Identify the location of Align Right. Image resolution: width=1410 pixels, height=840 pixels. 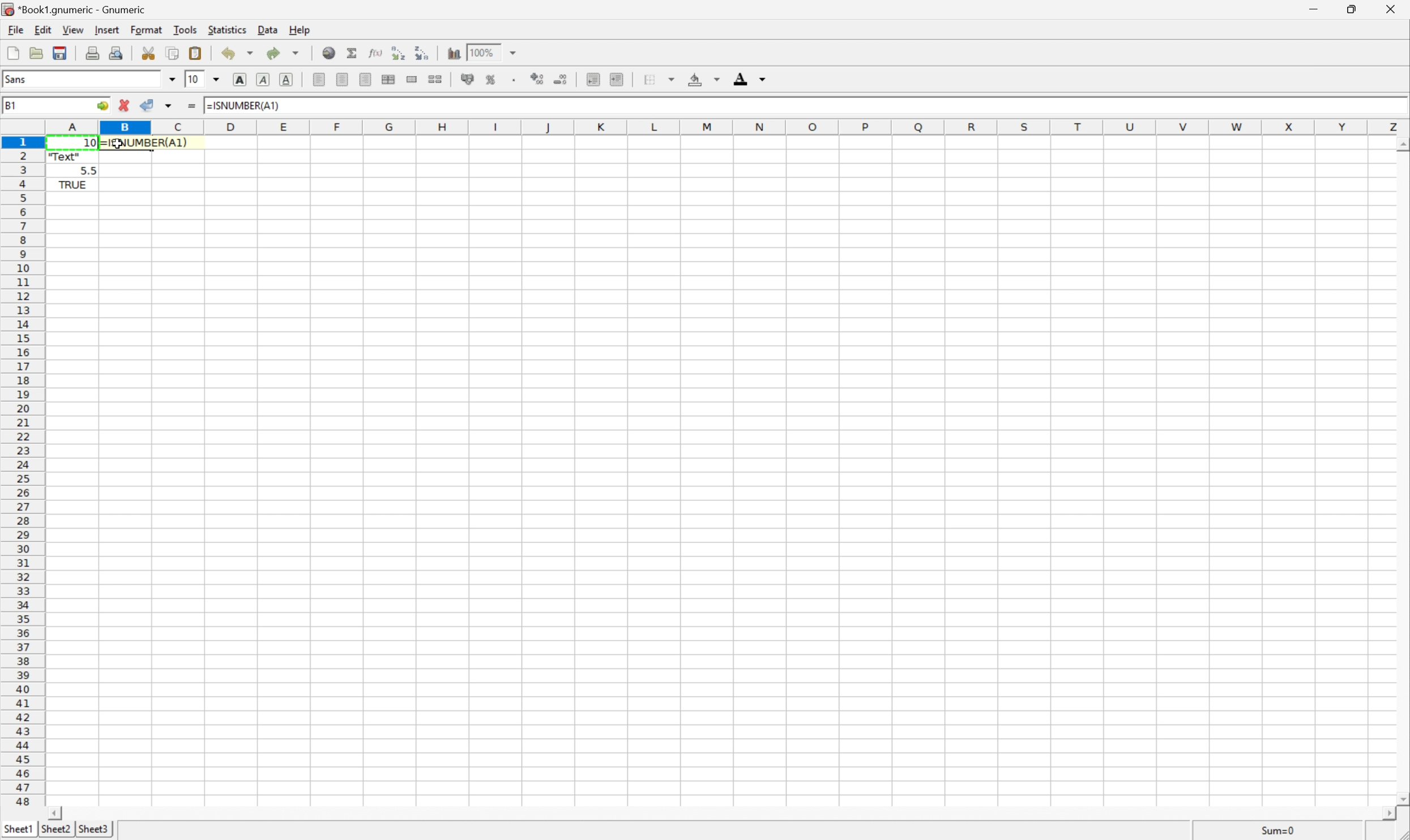
(364, 80).